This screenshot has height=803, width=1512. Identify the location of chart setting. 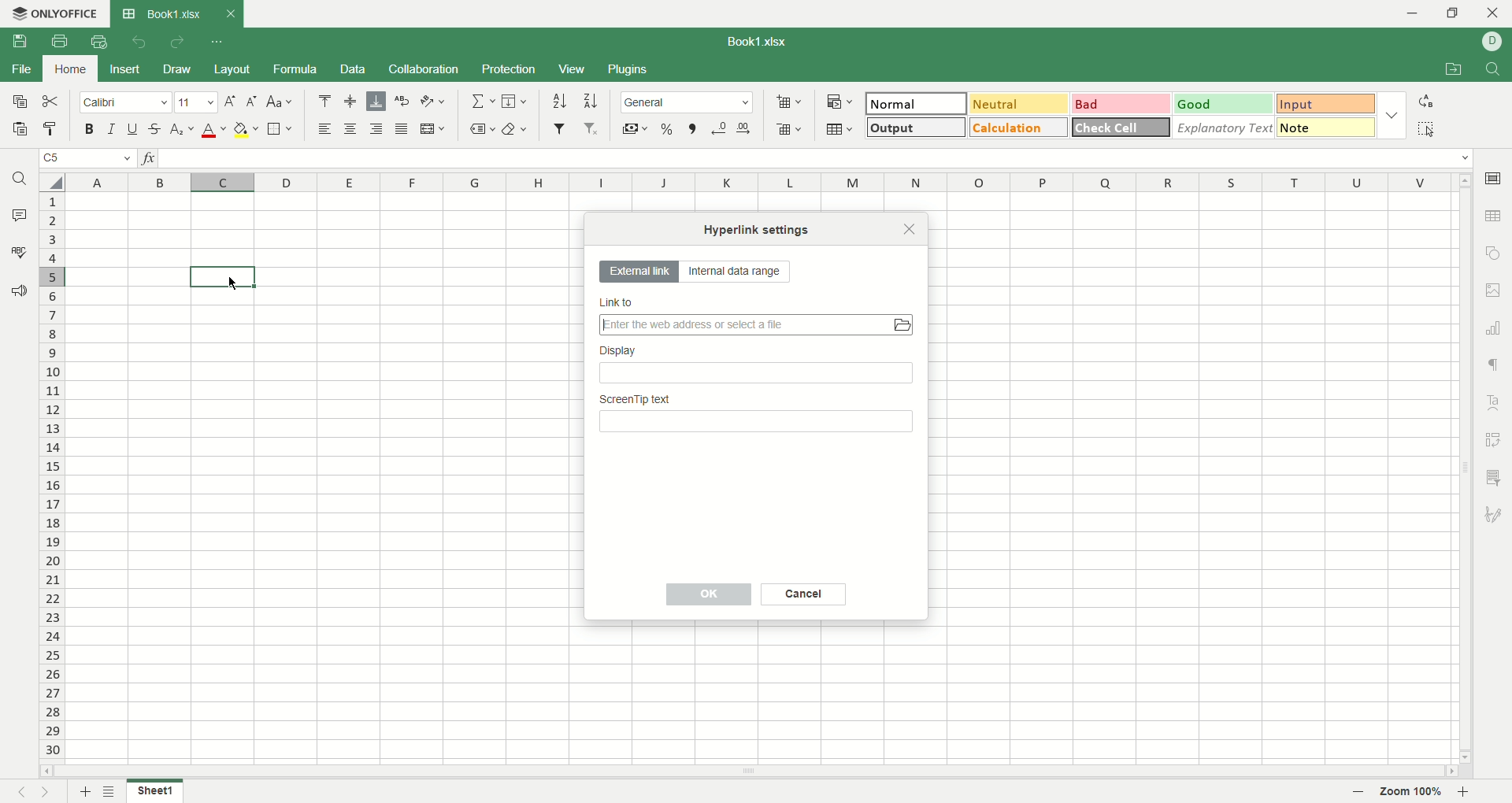
(1496, 328).